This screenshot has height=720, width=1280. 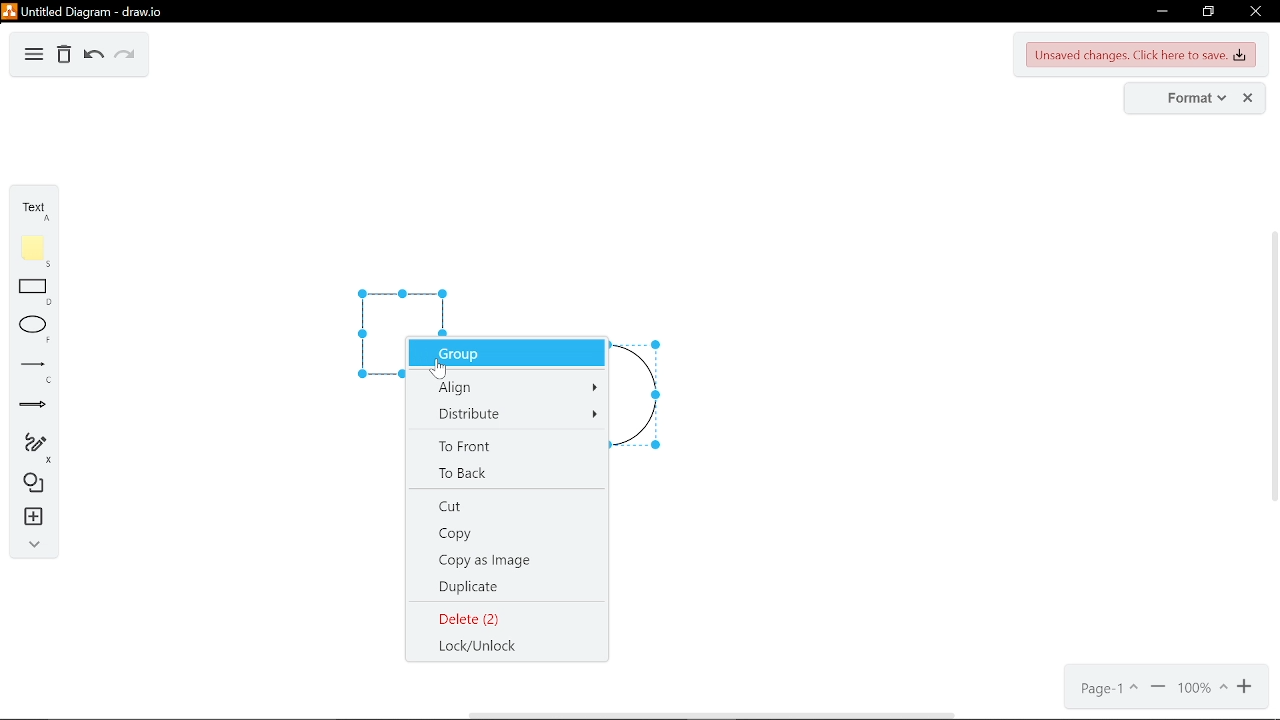 I want to click on square selected, so click(x=403, y=309).